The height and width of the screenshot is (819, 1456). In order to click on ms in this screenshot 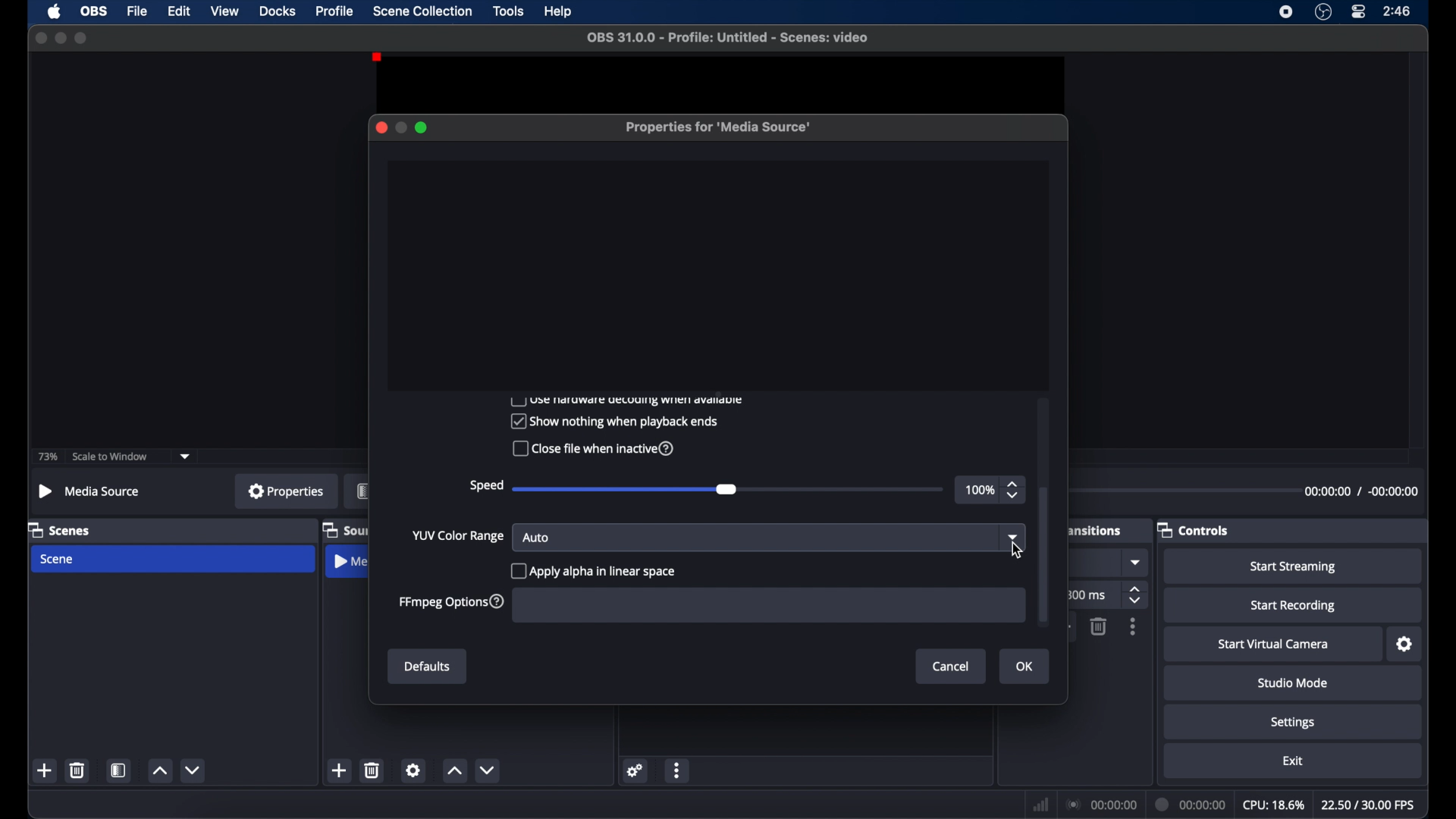, I will do `click(1091, 595)`.